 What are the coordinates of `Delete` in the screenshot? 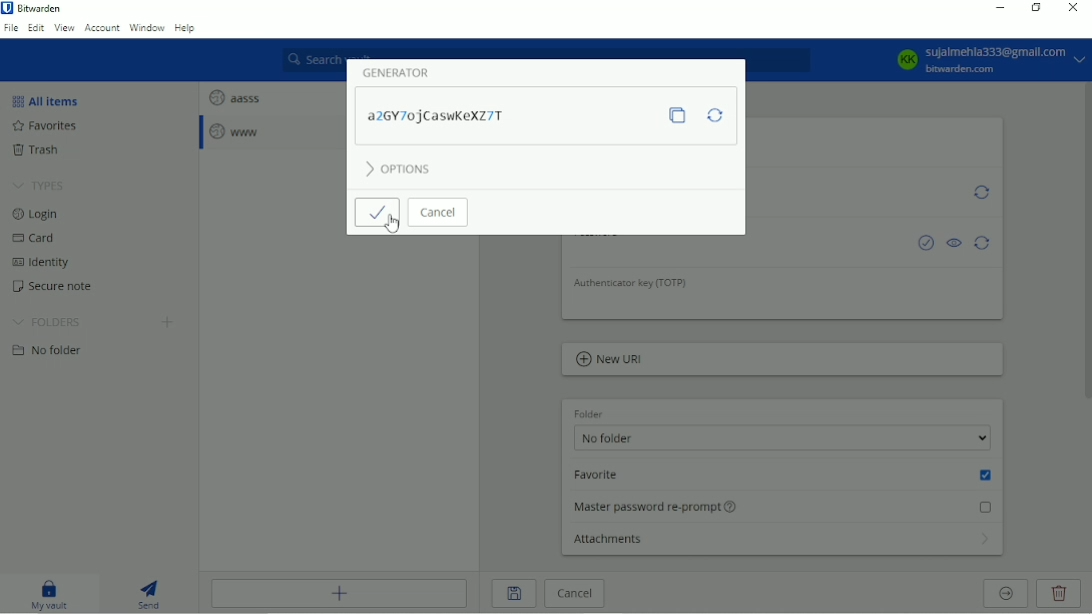 It's located at (1061, 594).